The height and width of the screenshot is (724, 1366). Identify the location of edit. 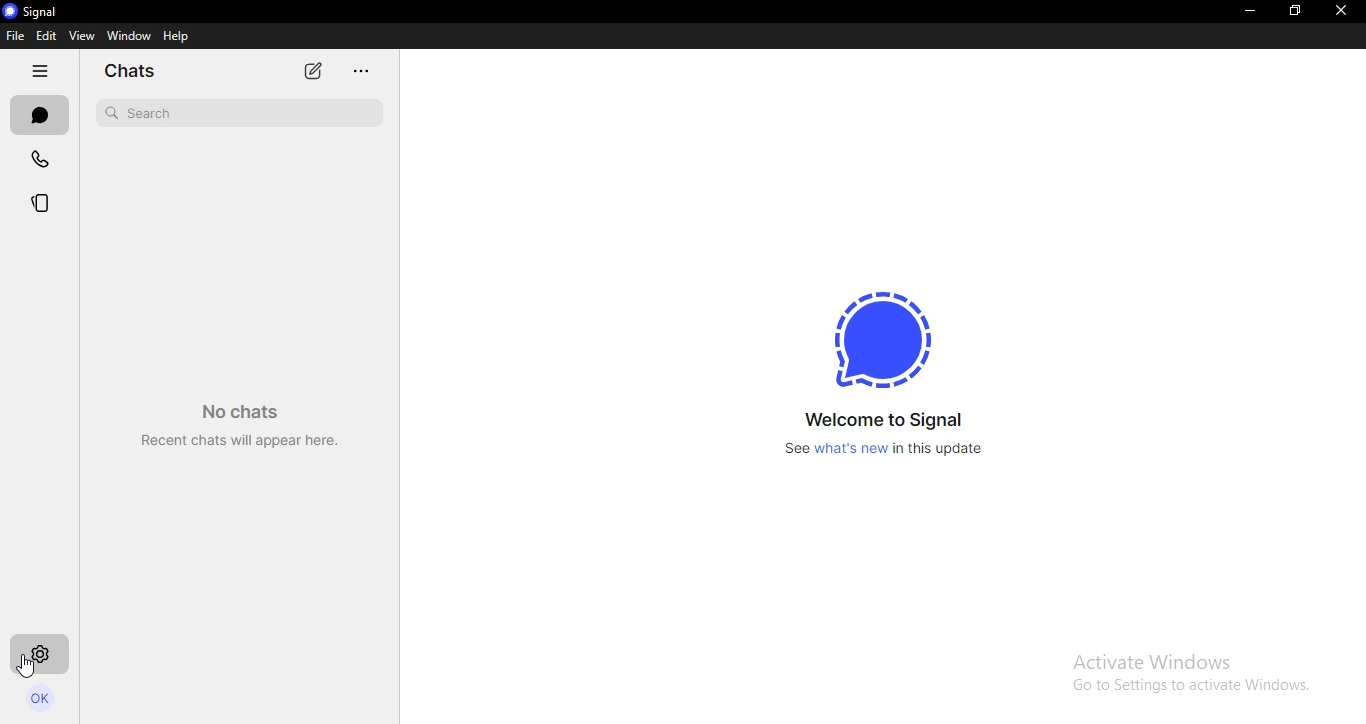
(46, 36).